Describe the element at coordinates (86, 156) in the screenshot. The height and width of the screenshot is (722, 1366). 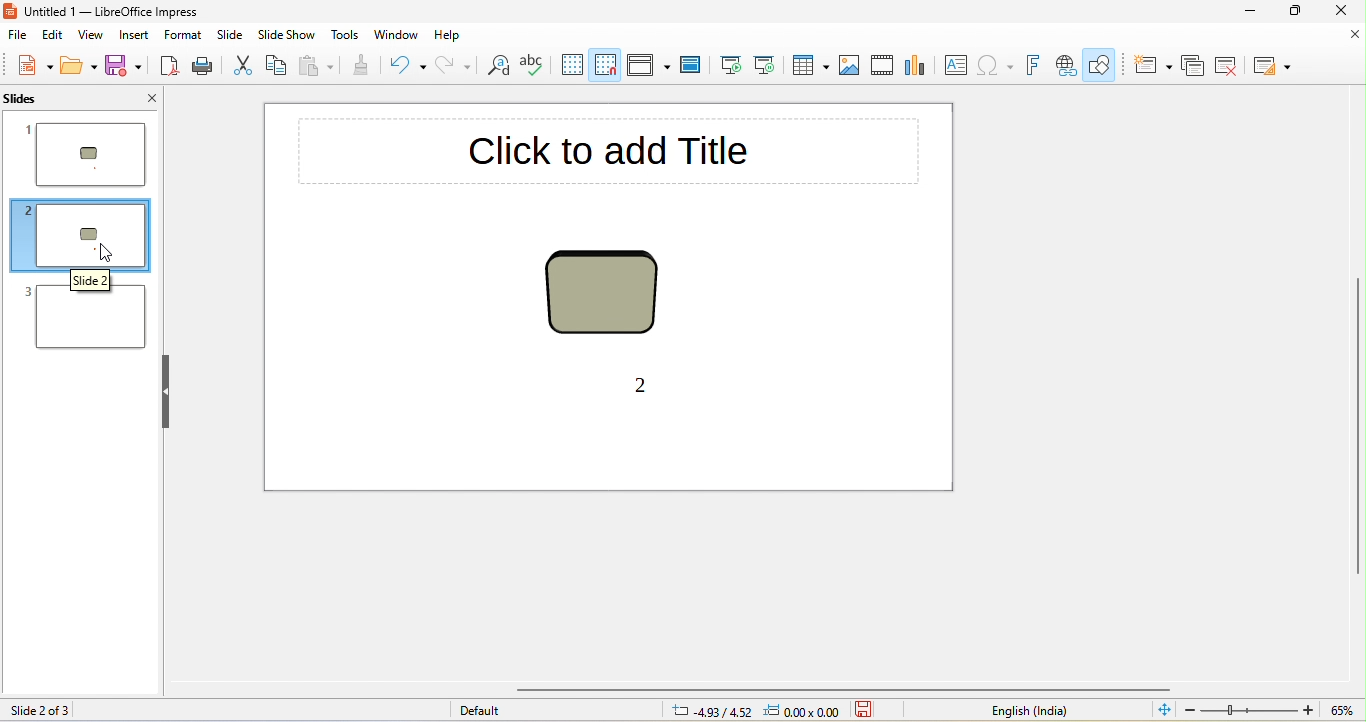
I see `slide 1` at that location.